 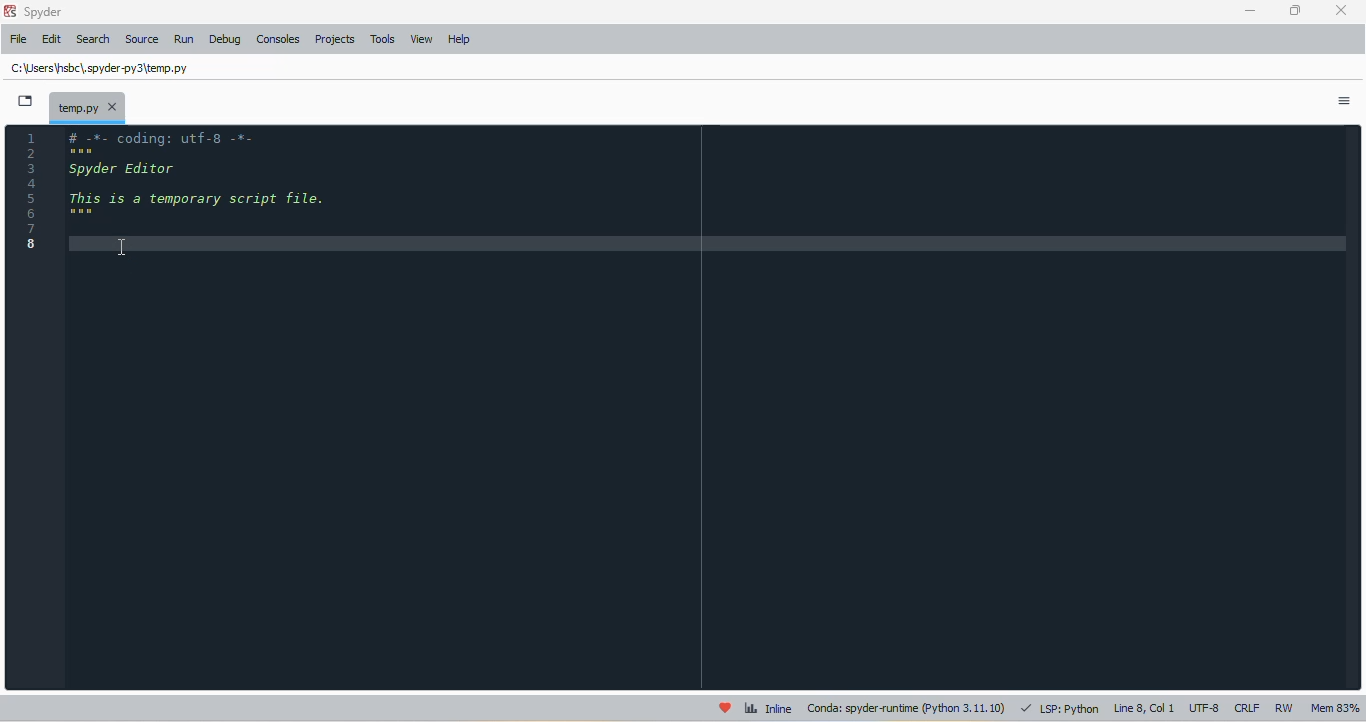 What do you see at coordinates (1252, 11) in the screenshot?
I see `minimize` at bounding box center [1252, 11].